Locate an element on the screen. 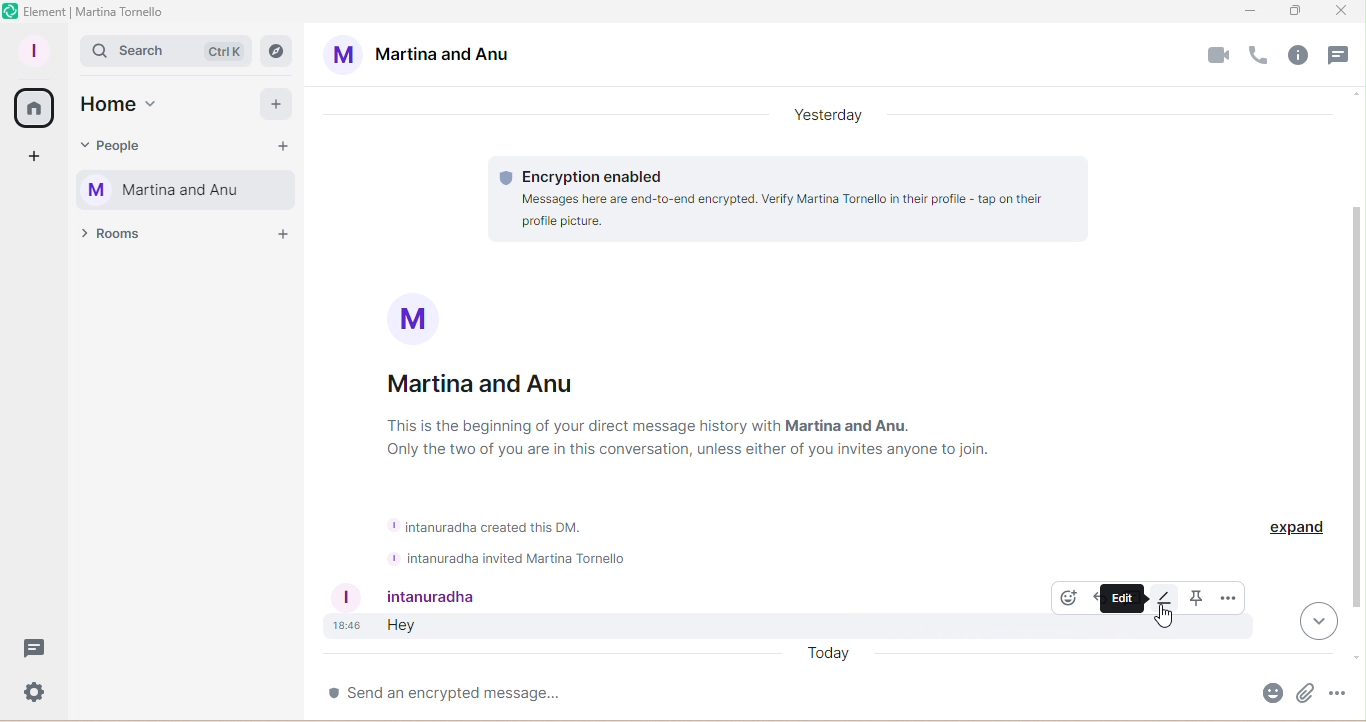 The image size is (1366, 722). Threads is located at coordinates (1340, 57).